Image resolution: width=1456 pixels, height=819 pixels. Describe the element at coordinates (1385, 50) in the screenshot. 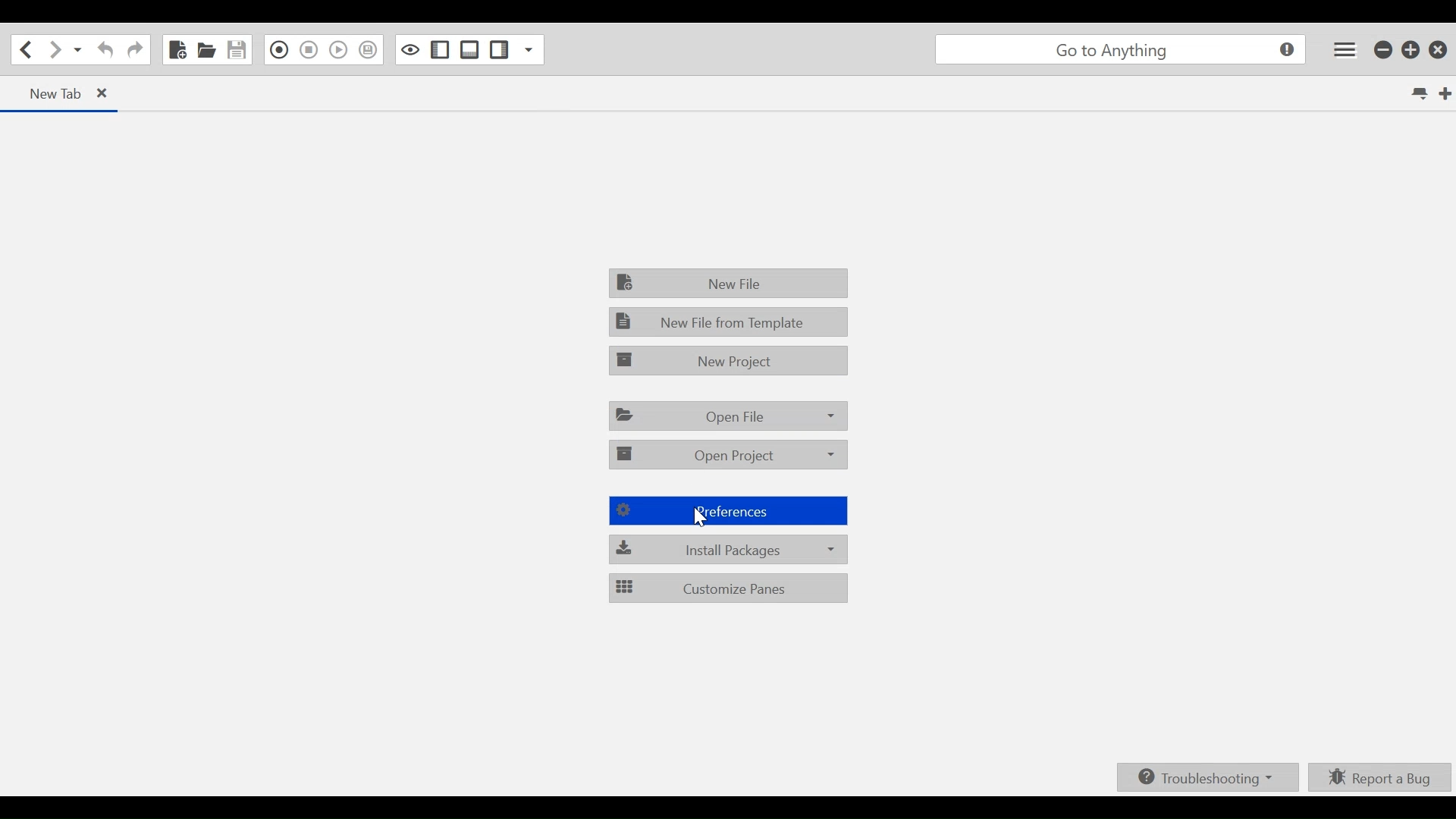

I see `minimize` at that location.